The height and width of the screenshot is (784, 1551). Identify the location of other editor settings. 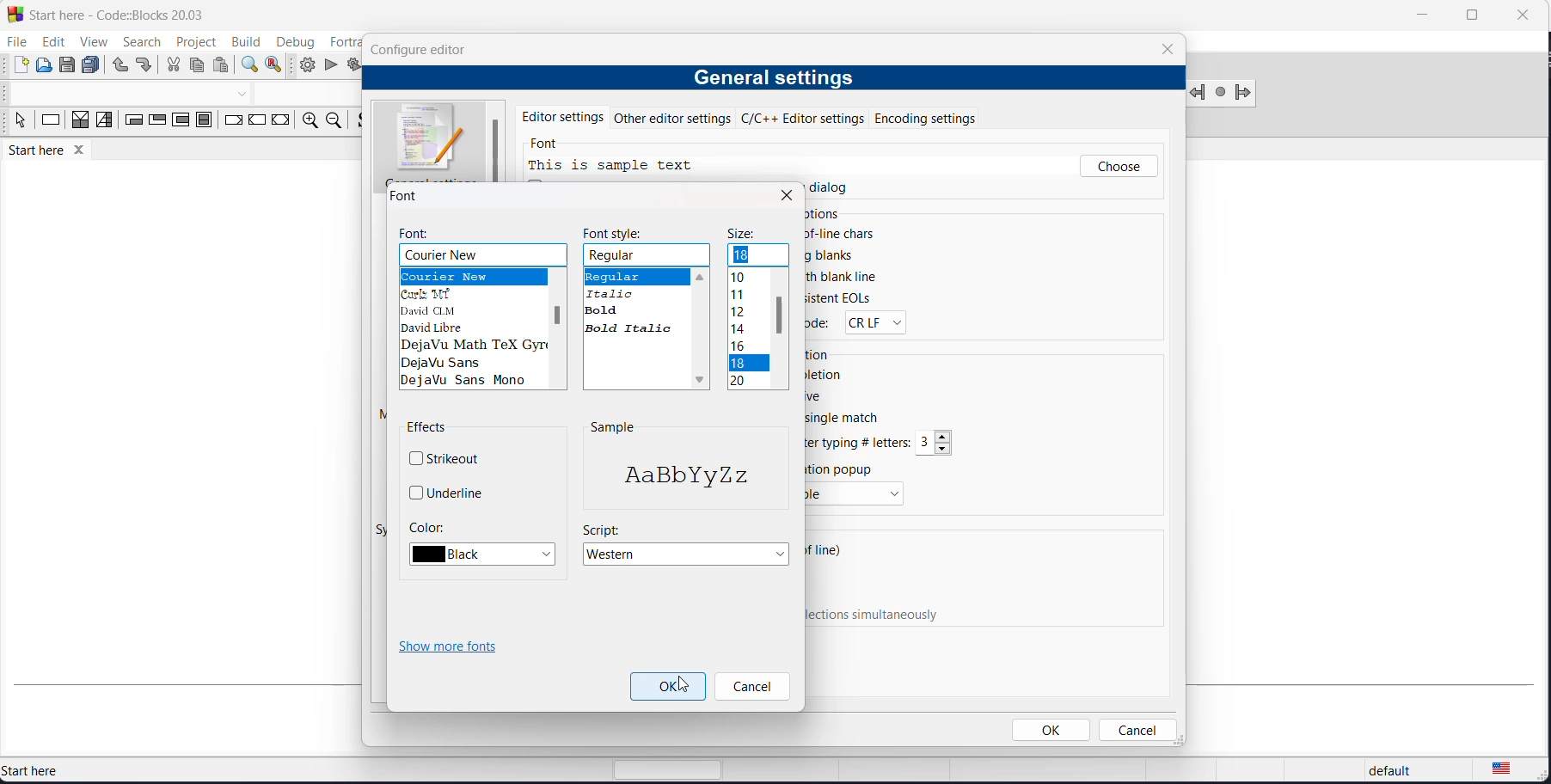
(676, 118).